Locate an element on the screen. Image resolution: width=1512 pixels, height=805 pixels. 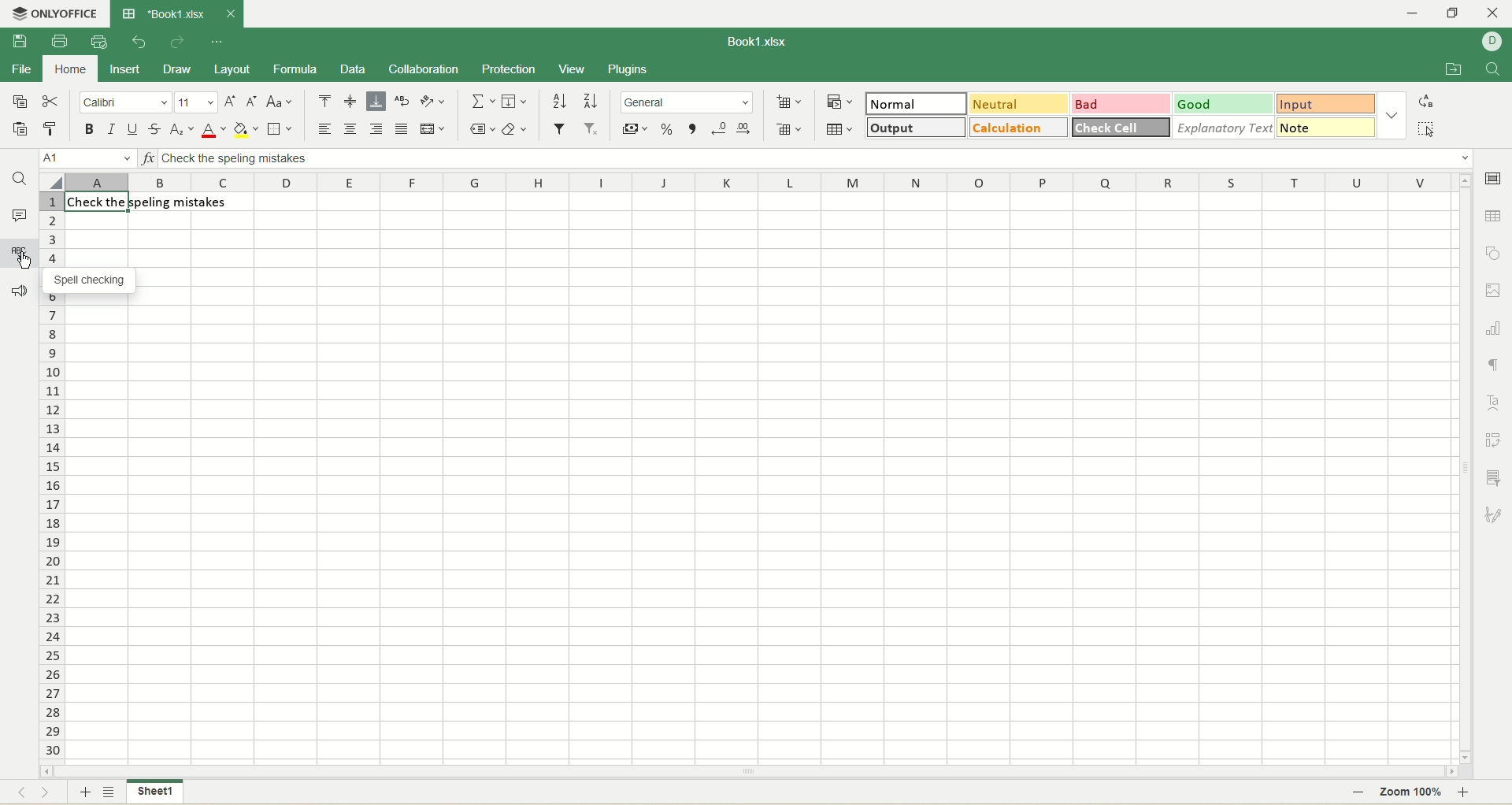
font size is located at coordinates (198, 102).